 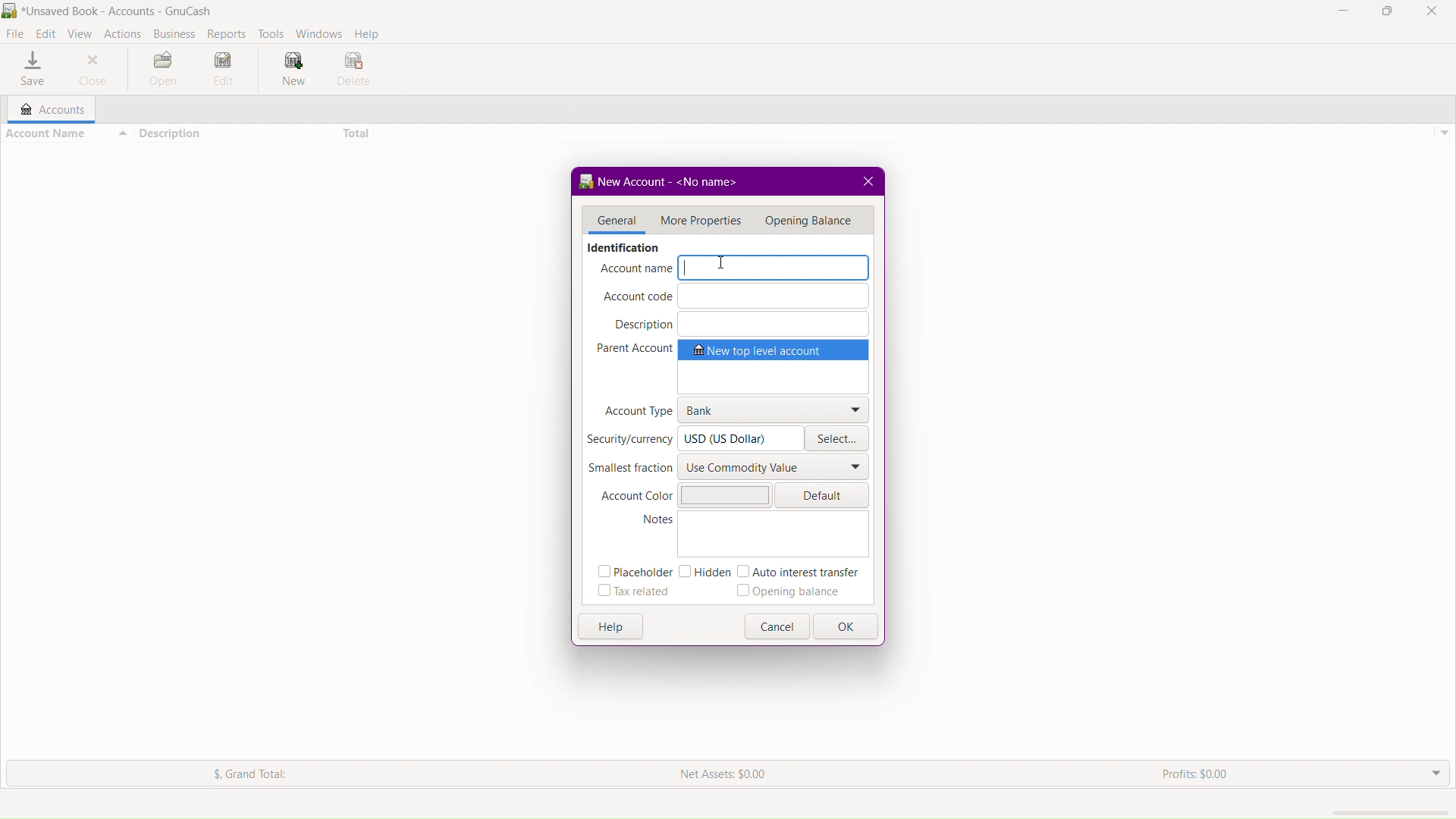 I want to click on Cancel, so click(x=780, y=627).